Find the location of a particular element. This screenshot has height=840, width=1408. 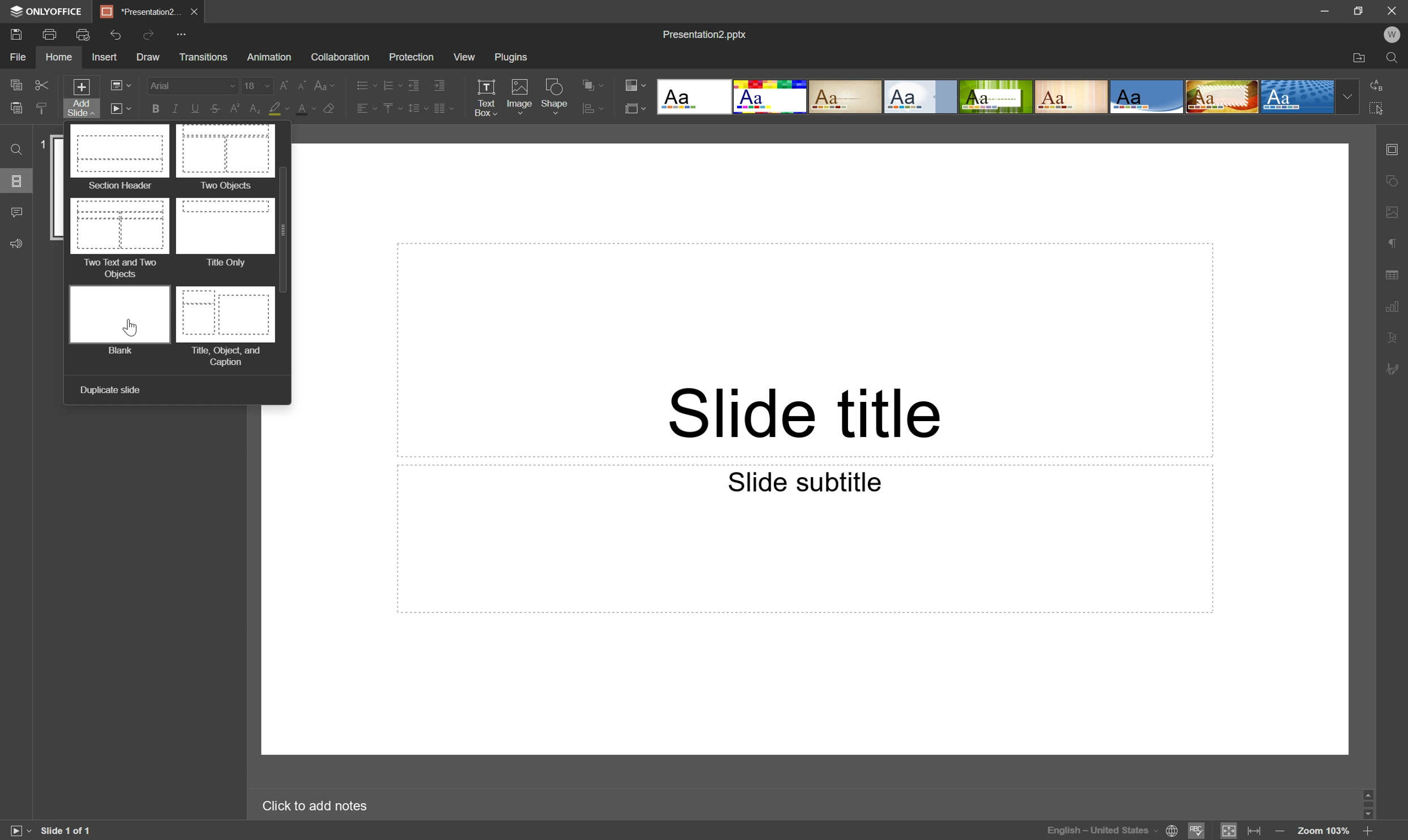

Arrange shape is located at coordinates (596, 108).